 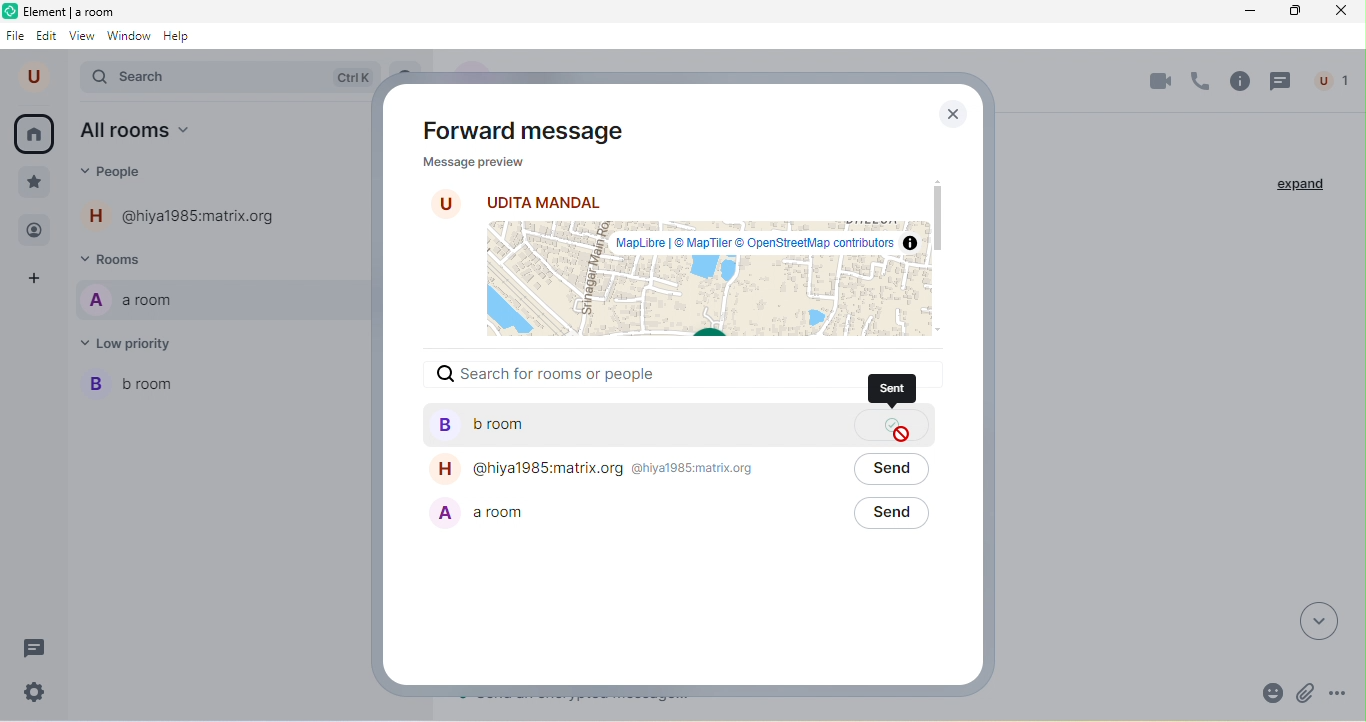 I want to click on threads, so click(x=1280, y=82).